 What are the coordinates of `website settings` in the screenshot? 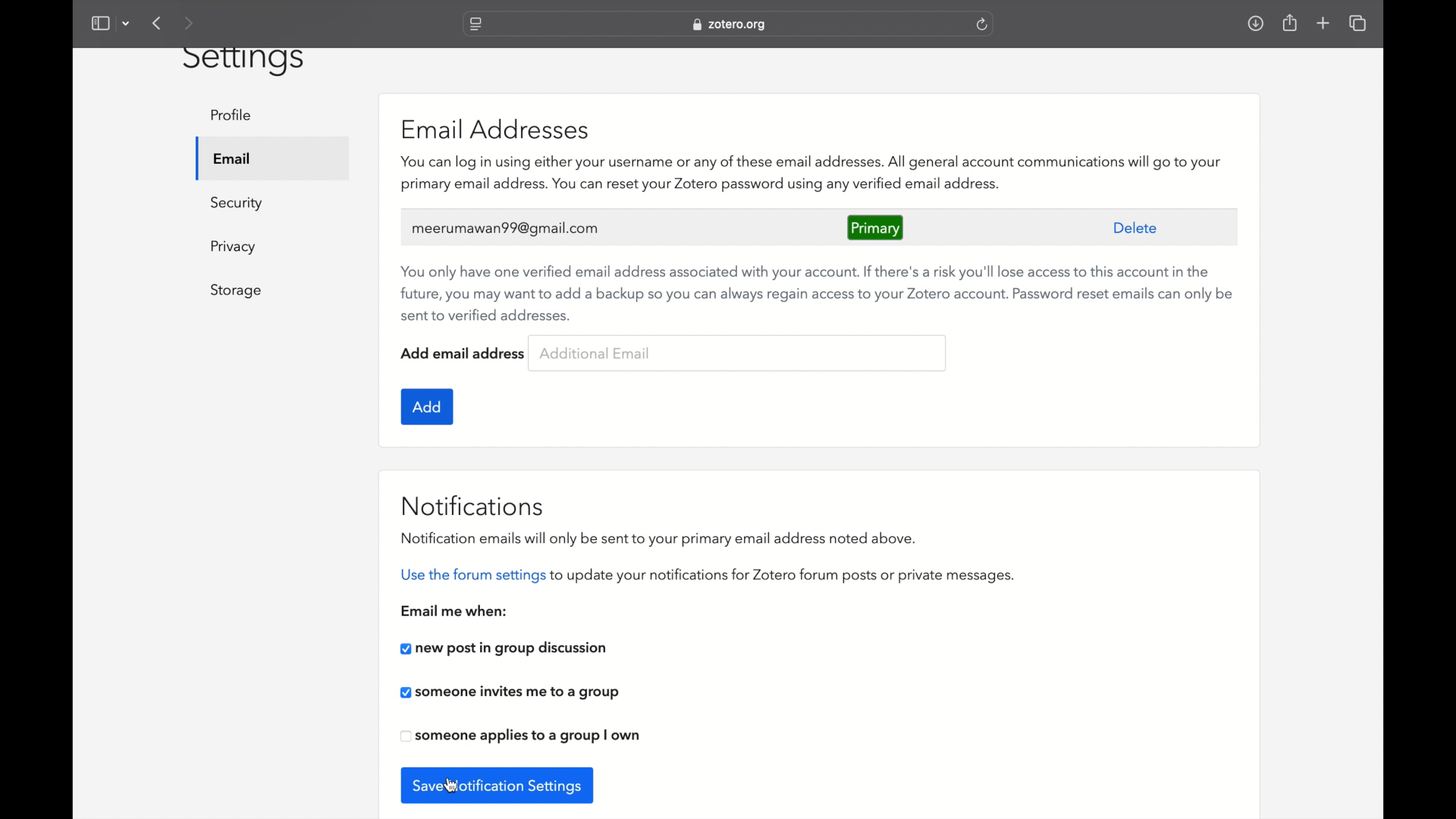 It's located at (475, 24).